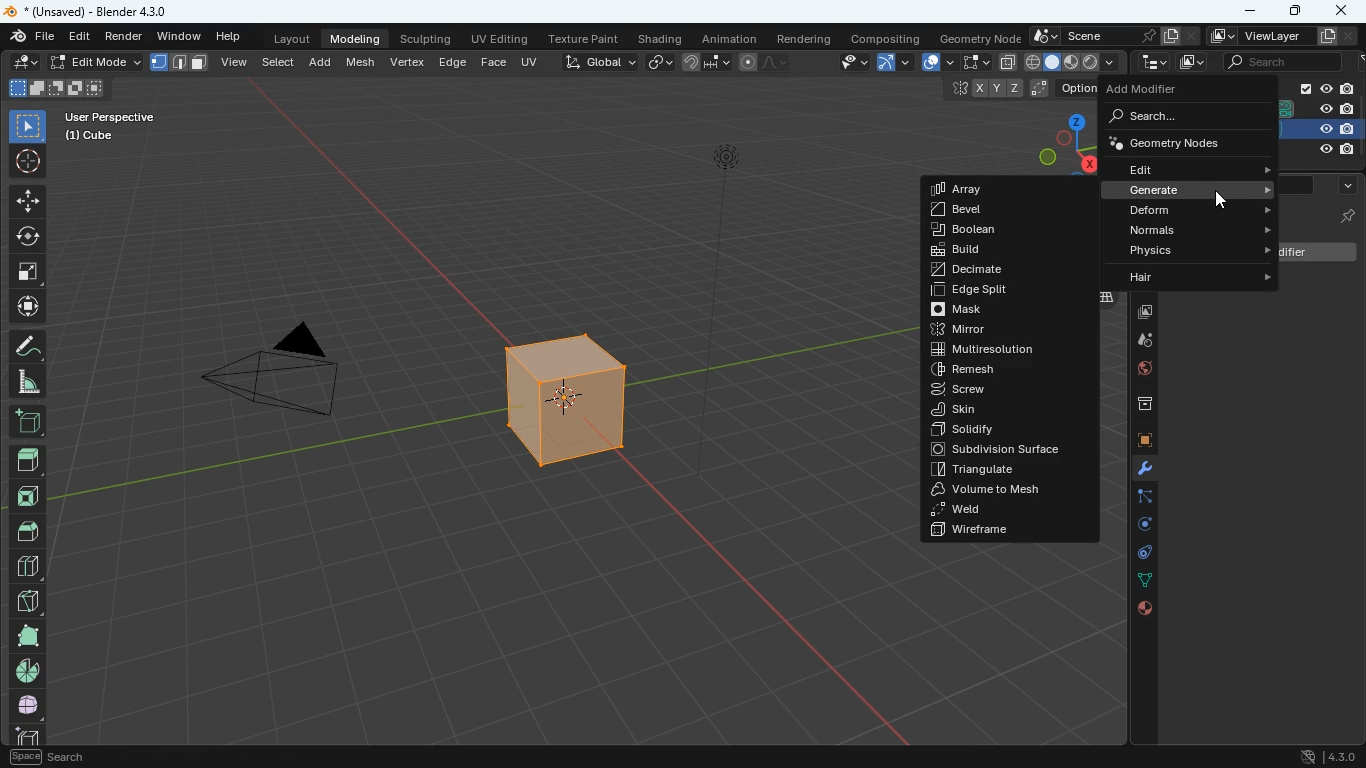  I want to click on minimize, so click(1247, 10).